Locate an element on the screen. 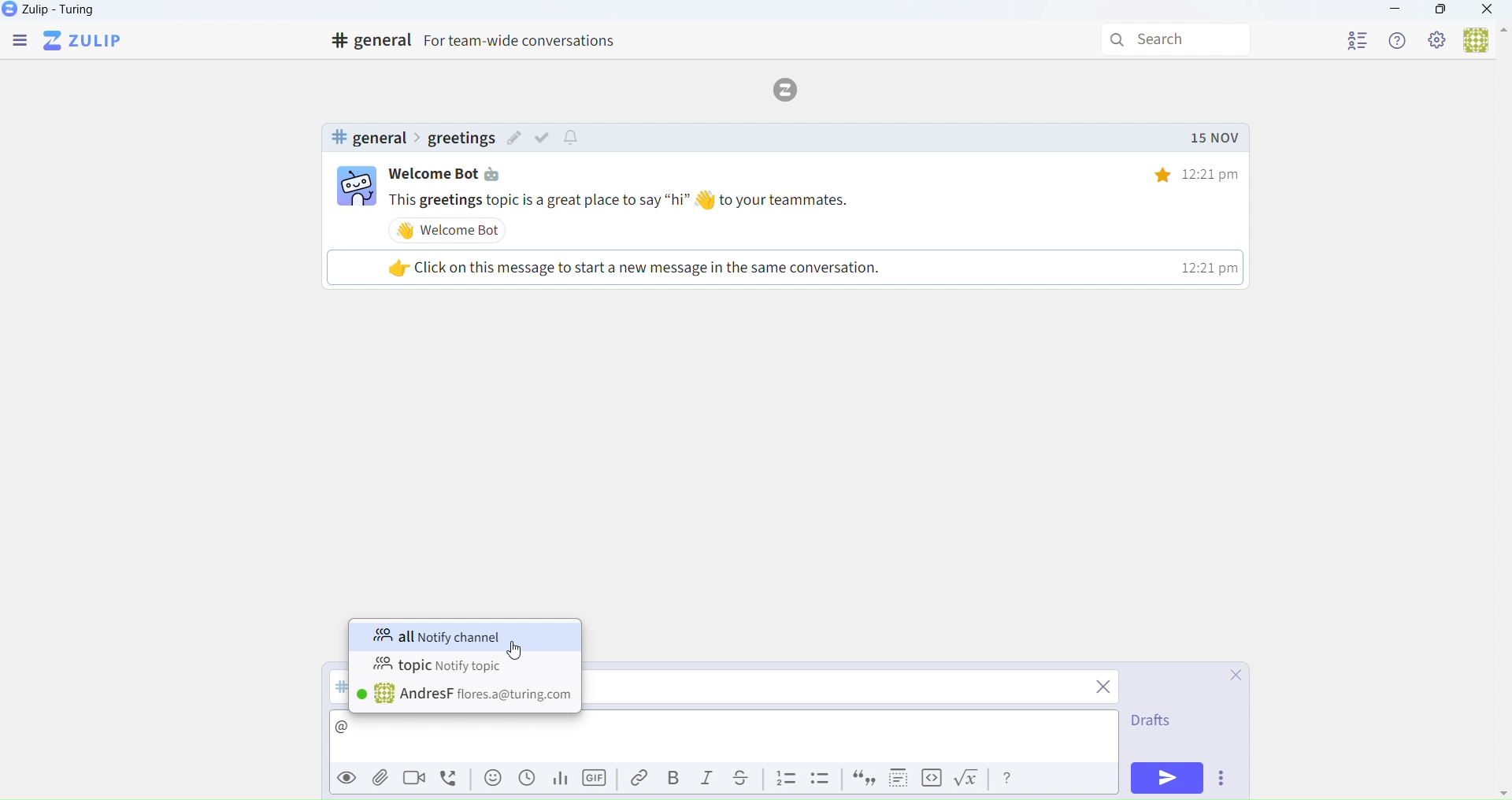 The width and height of the screenshot is (1512, 800). check is located at coordinates (546, 137).